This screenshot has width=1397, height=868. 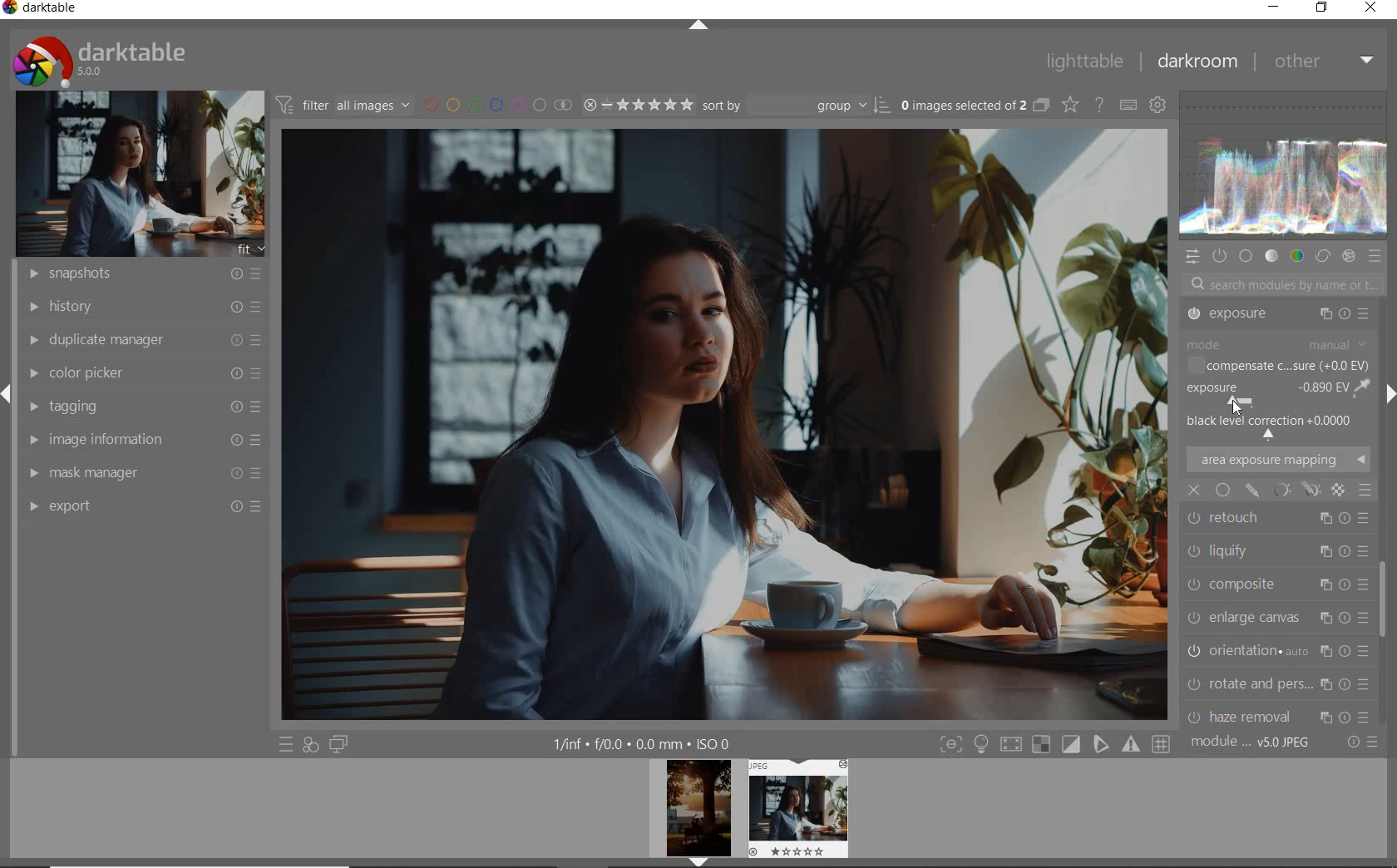 I want to click on DEFINE KEYBOARD SHORTCUT, so click(x=1129, y=106).